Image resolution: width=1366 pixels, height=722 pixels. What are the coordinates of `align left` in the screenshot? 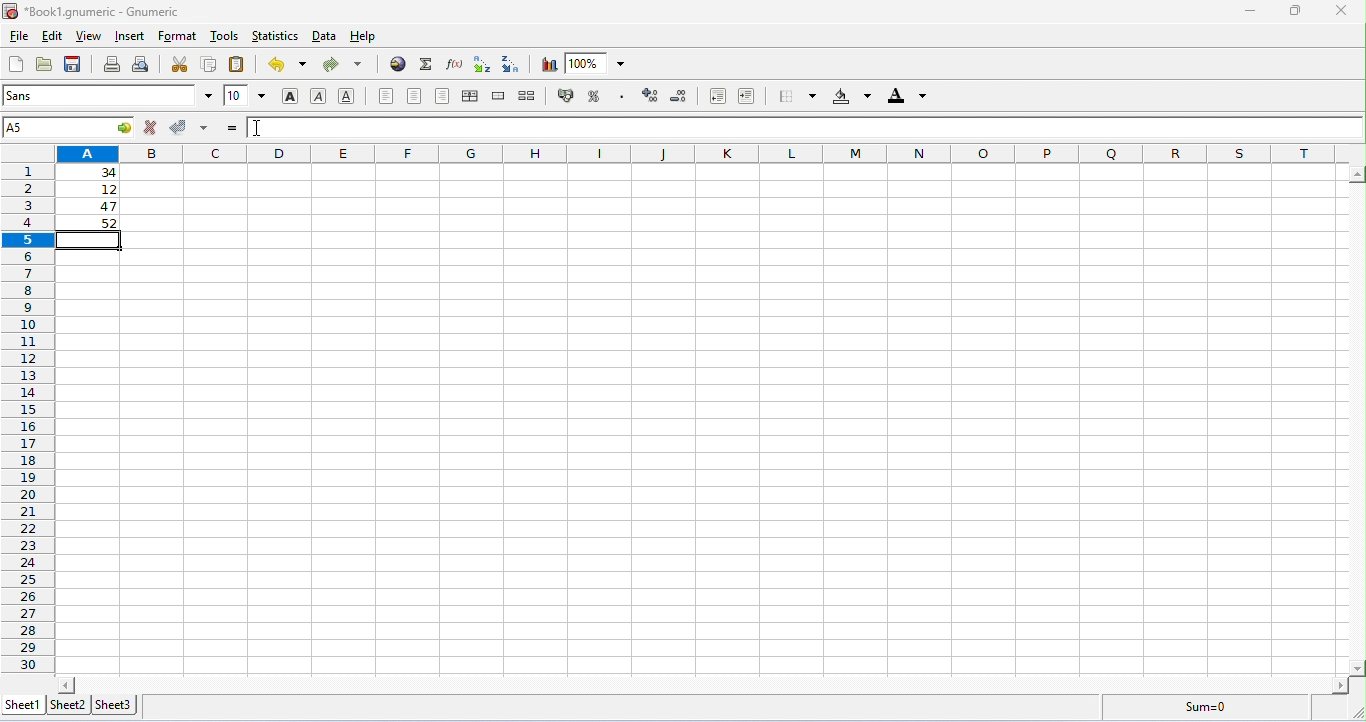 It's located at (386, 96).